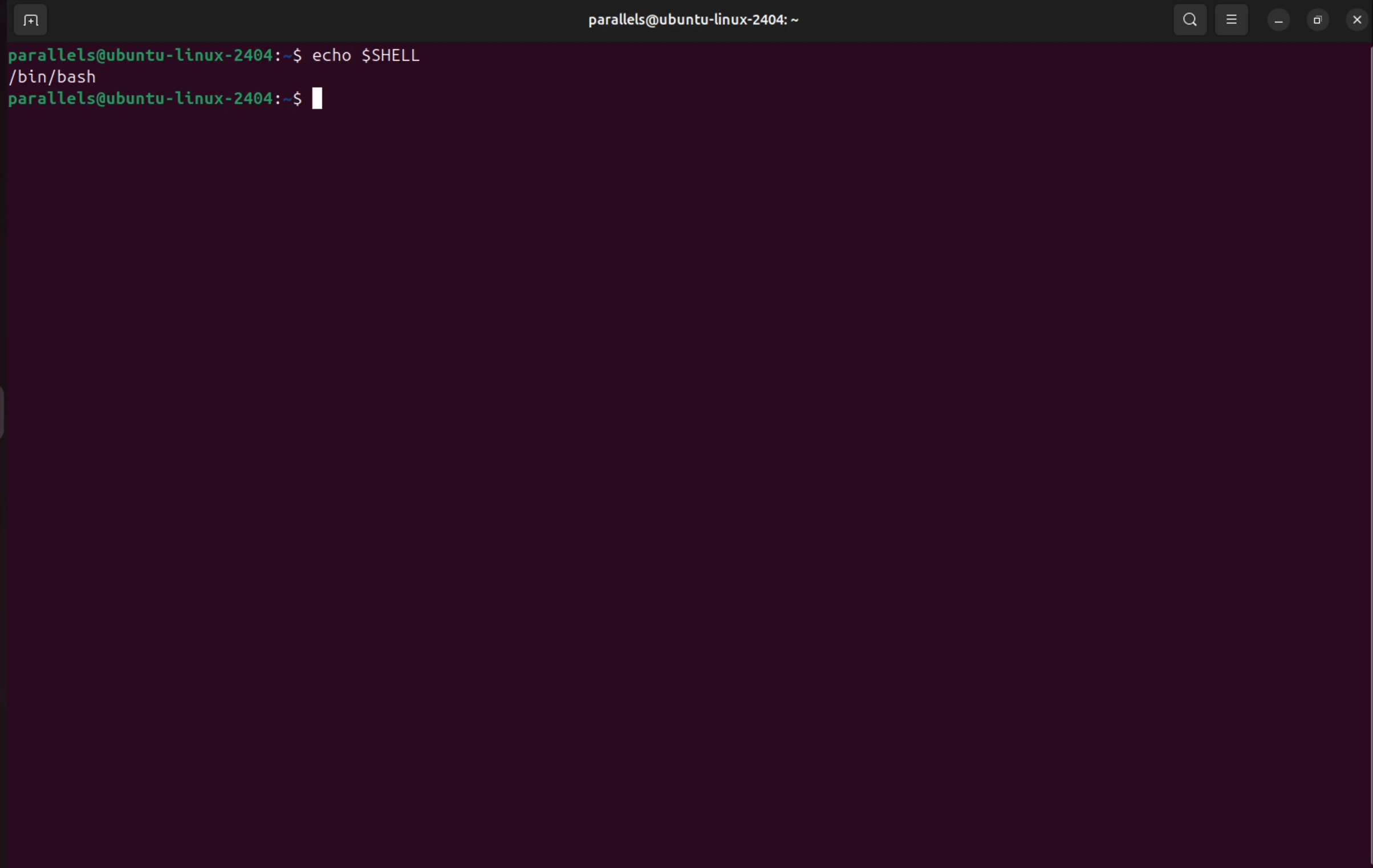 This screenshot has height=868, width=1373. I want to click on search, so click(1192, 20).